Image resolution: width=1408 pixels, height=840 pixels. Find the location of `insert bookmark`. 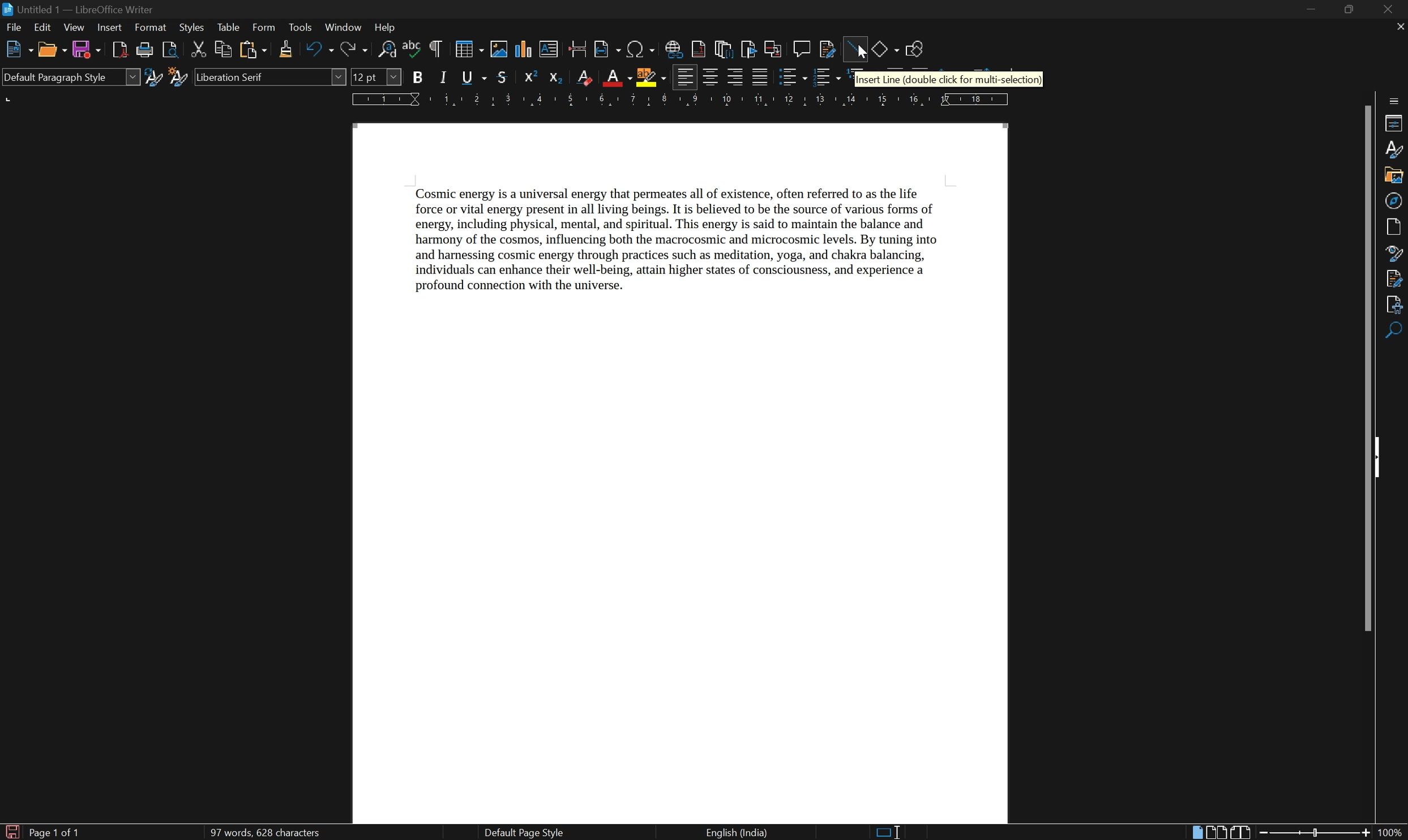

insert bookmark is located at coordinates (752, 50).